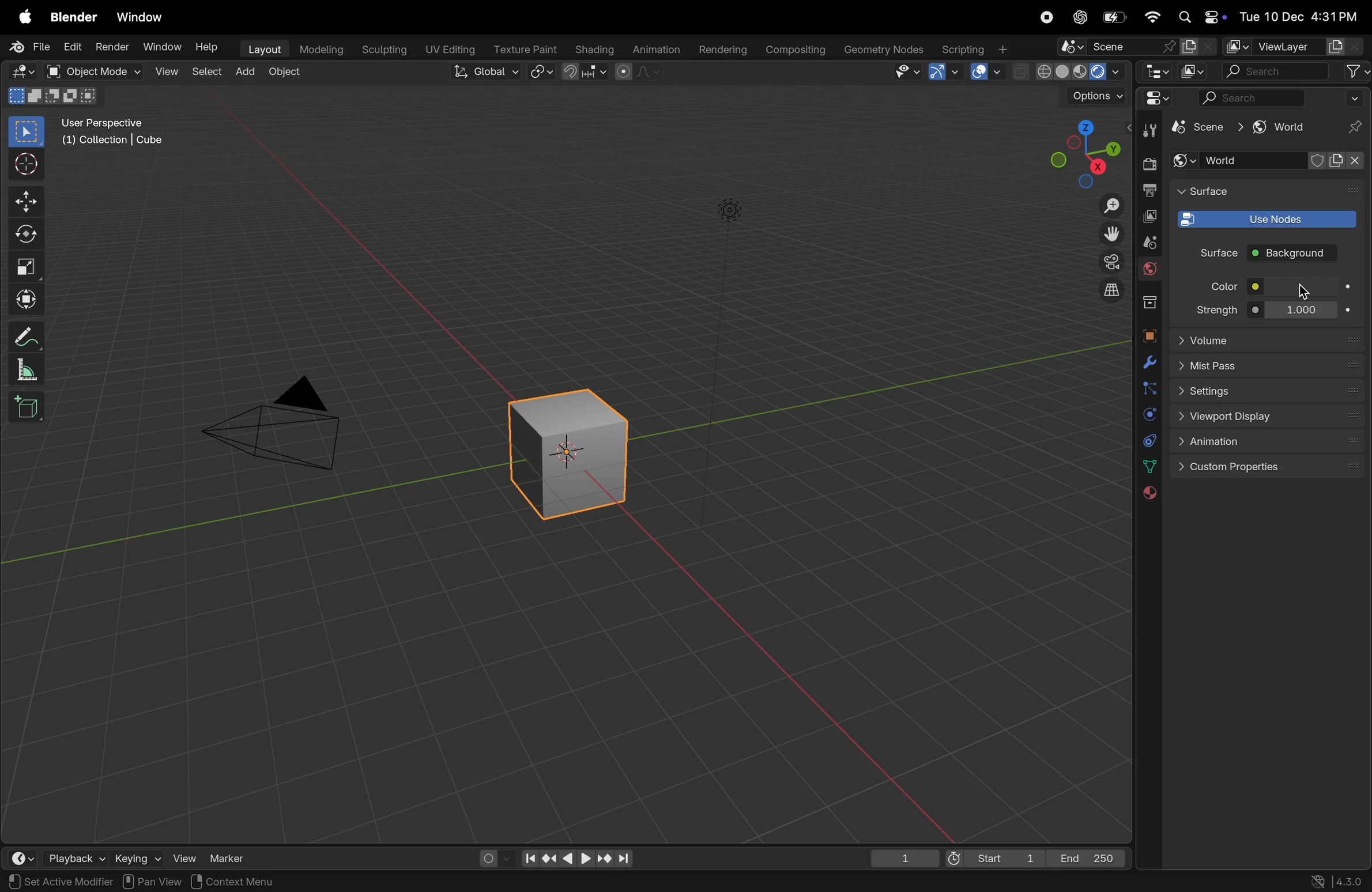  What do you see at coordinates (447, 50) in the screenshot?
I see `UV editing` at bounding box center [447, 50].